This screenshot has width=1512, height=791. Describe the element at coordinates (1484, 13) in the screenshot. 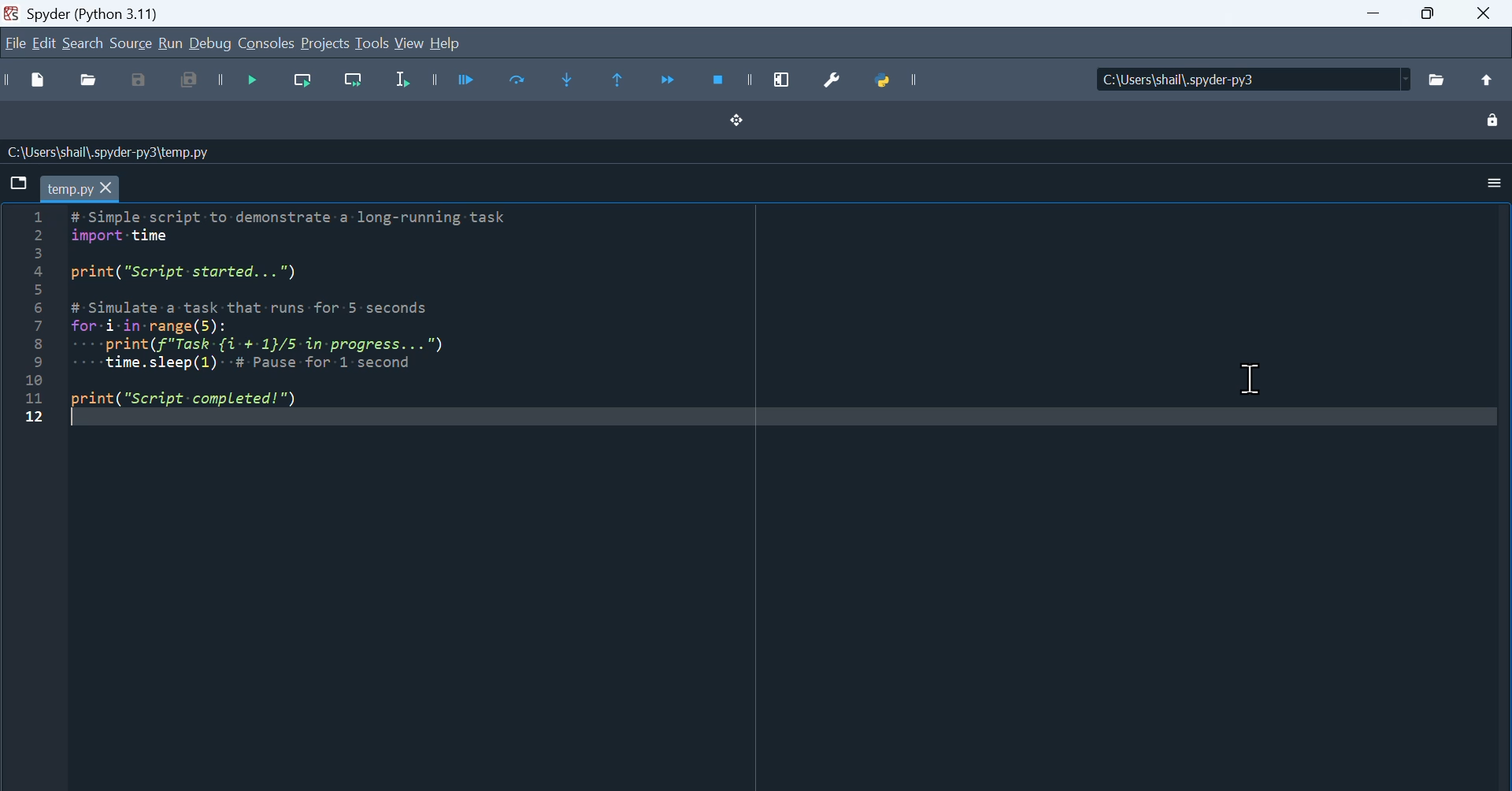

I see `Close` at that location.